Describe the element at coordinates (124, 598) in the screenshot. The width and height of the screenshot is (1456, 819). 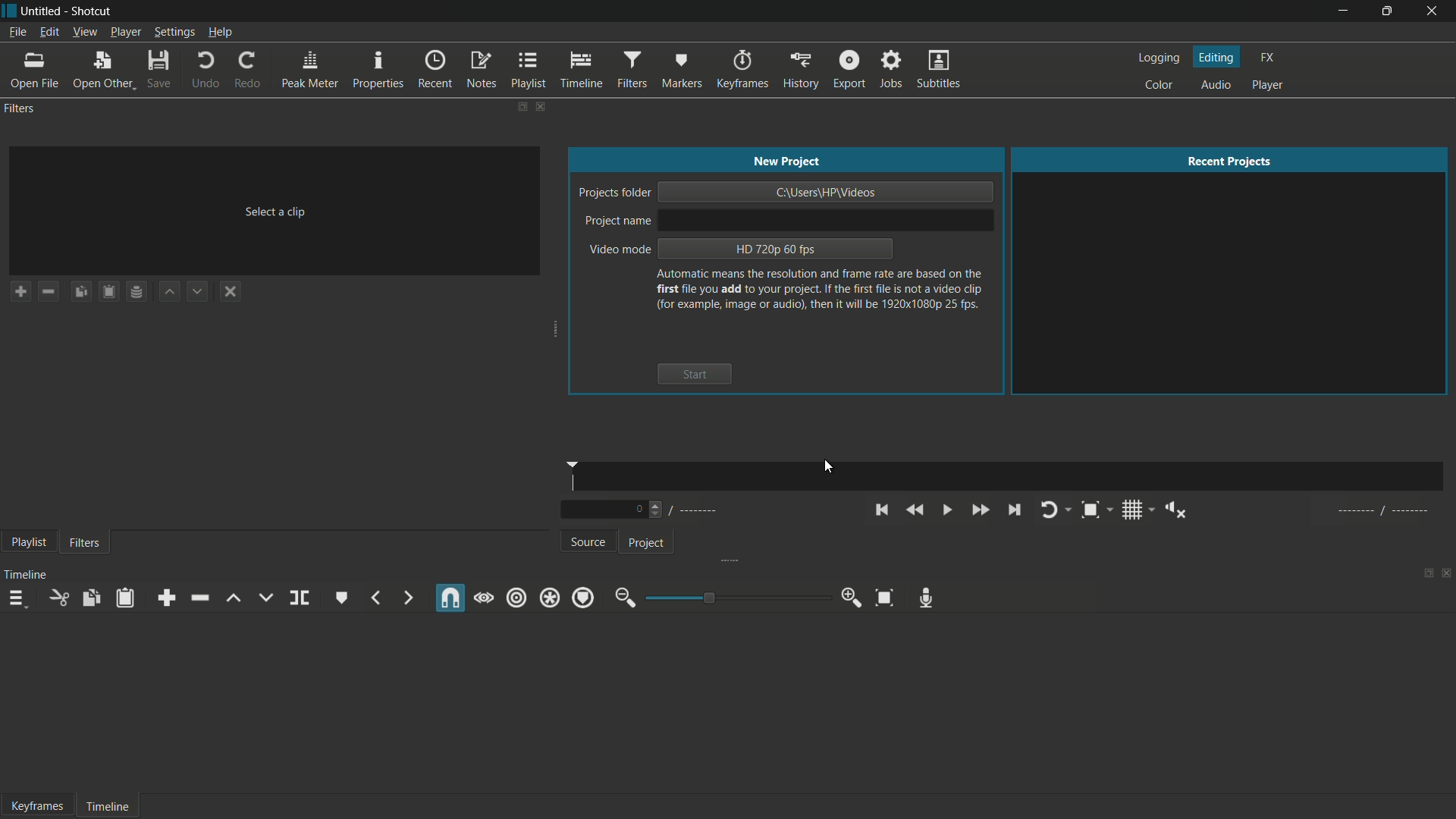
I see `paste` at that location.